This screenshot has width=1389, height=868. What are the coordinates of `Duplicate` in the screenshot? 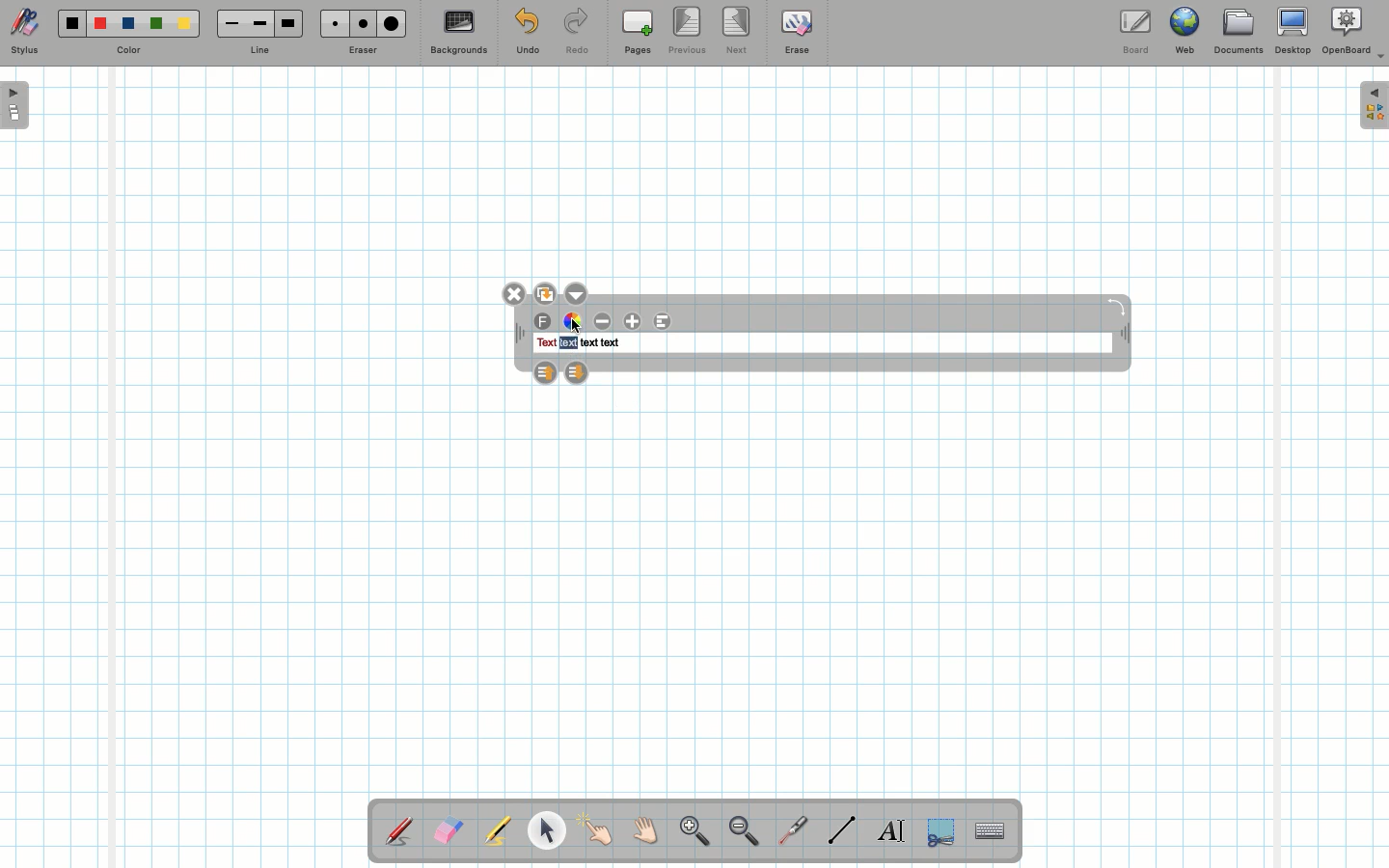 It's located at (544, 291).